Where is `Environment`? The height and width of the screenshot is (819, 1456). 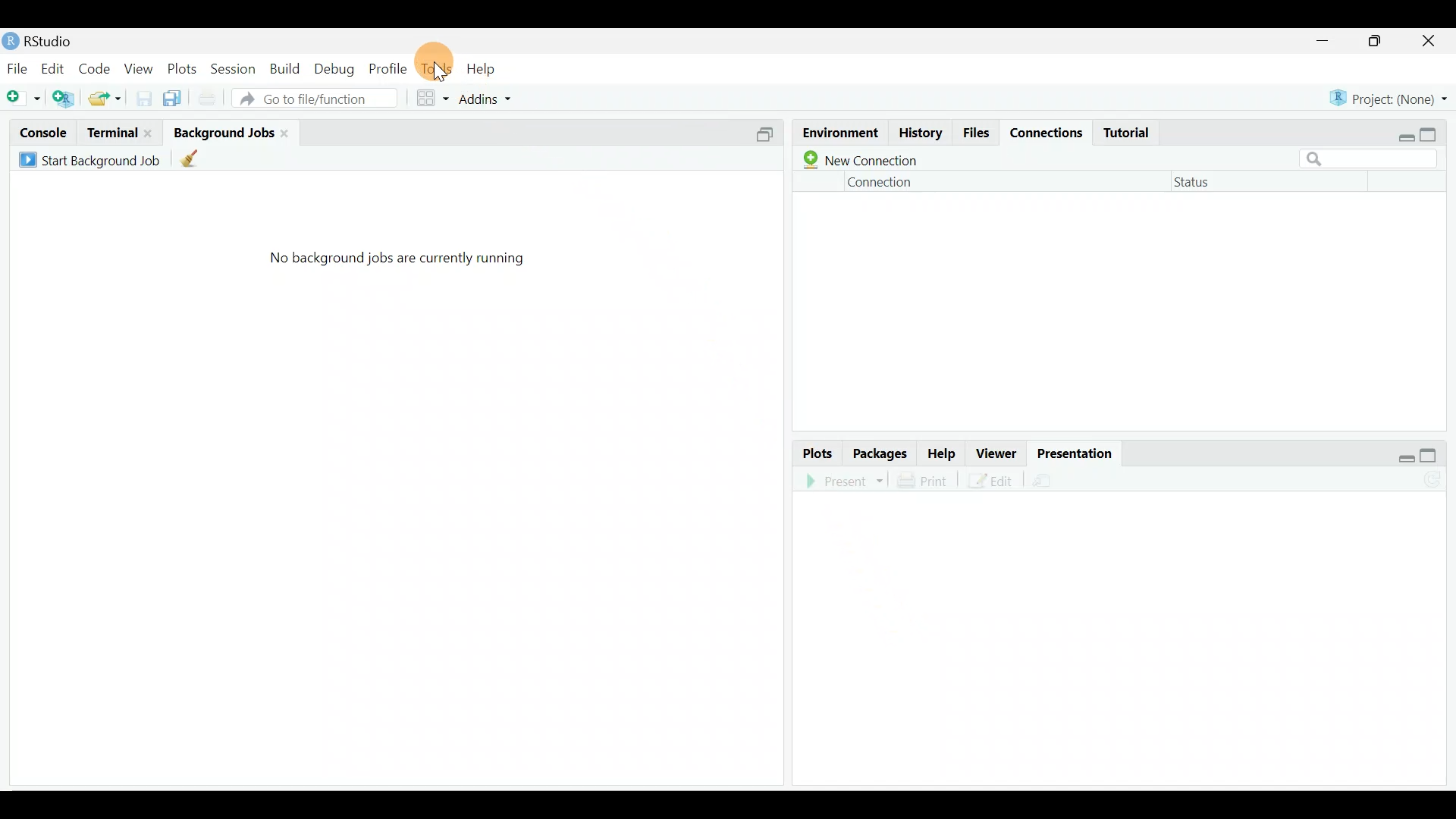 Environment is located at coordinates (841, 130).